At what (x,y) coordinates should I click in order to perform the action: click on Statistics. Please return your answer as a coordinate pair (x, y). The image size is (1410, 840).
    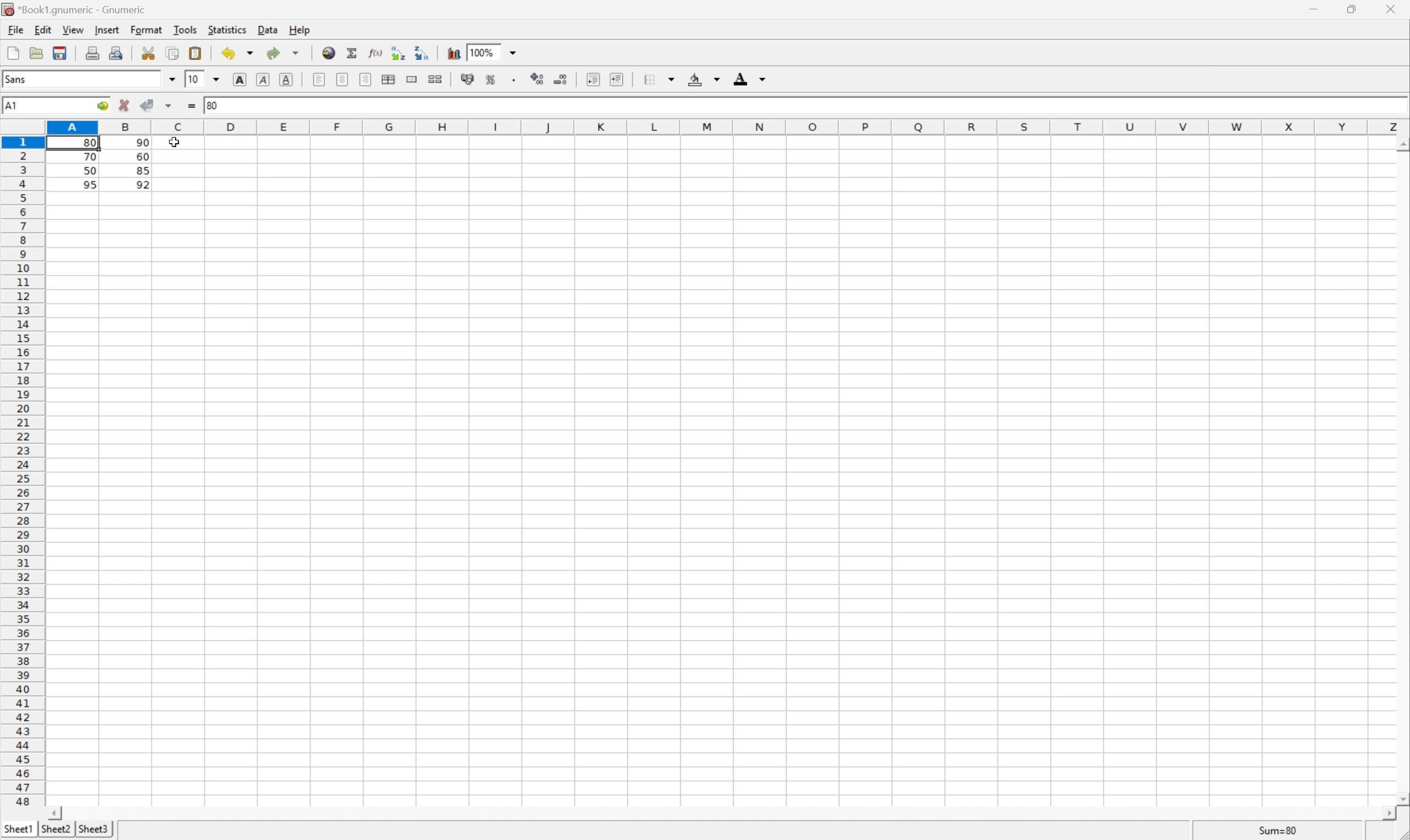
    Looking at the image, I should click on (229, 31).